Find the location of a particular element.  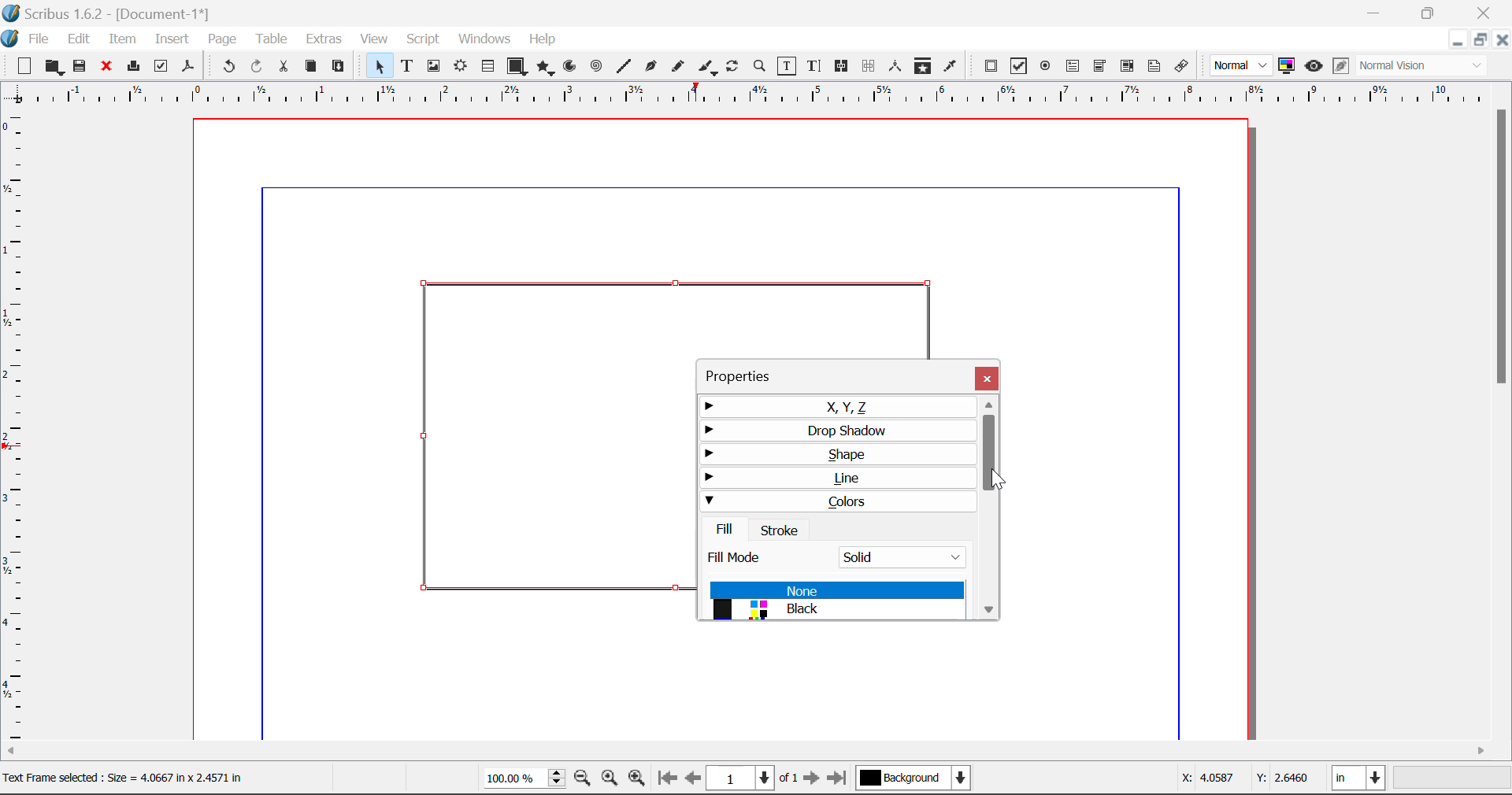

Eyedropper is located at coordinates (951, 65).